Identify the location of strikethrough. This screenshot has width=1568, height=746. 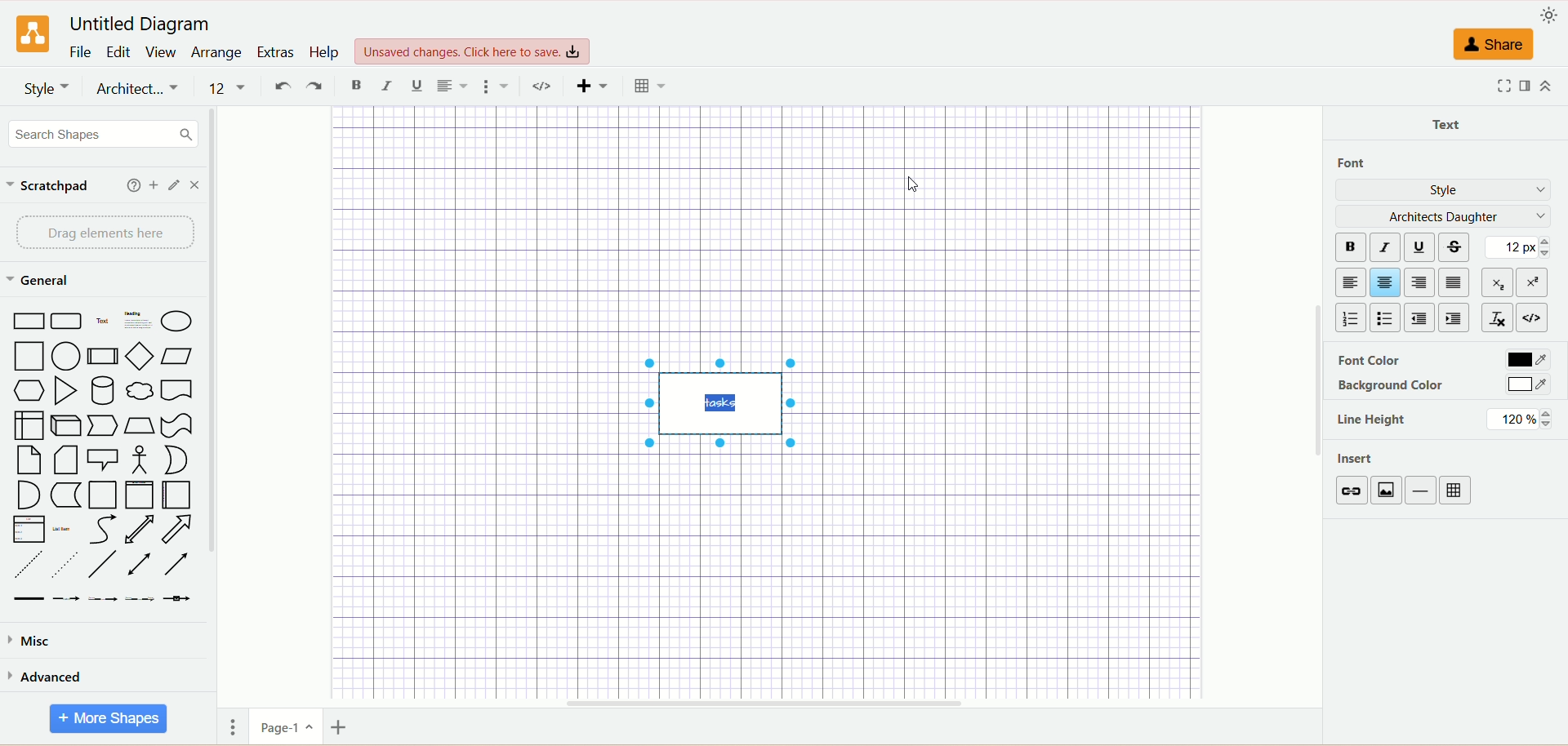
(1458, 245).